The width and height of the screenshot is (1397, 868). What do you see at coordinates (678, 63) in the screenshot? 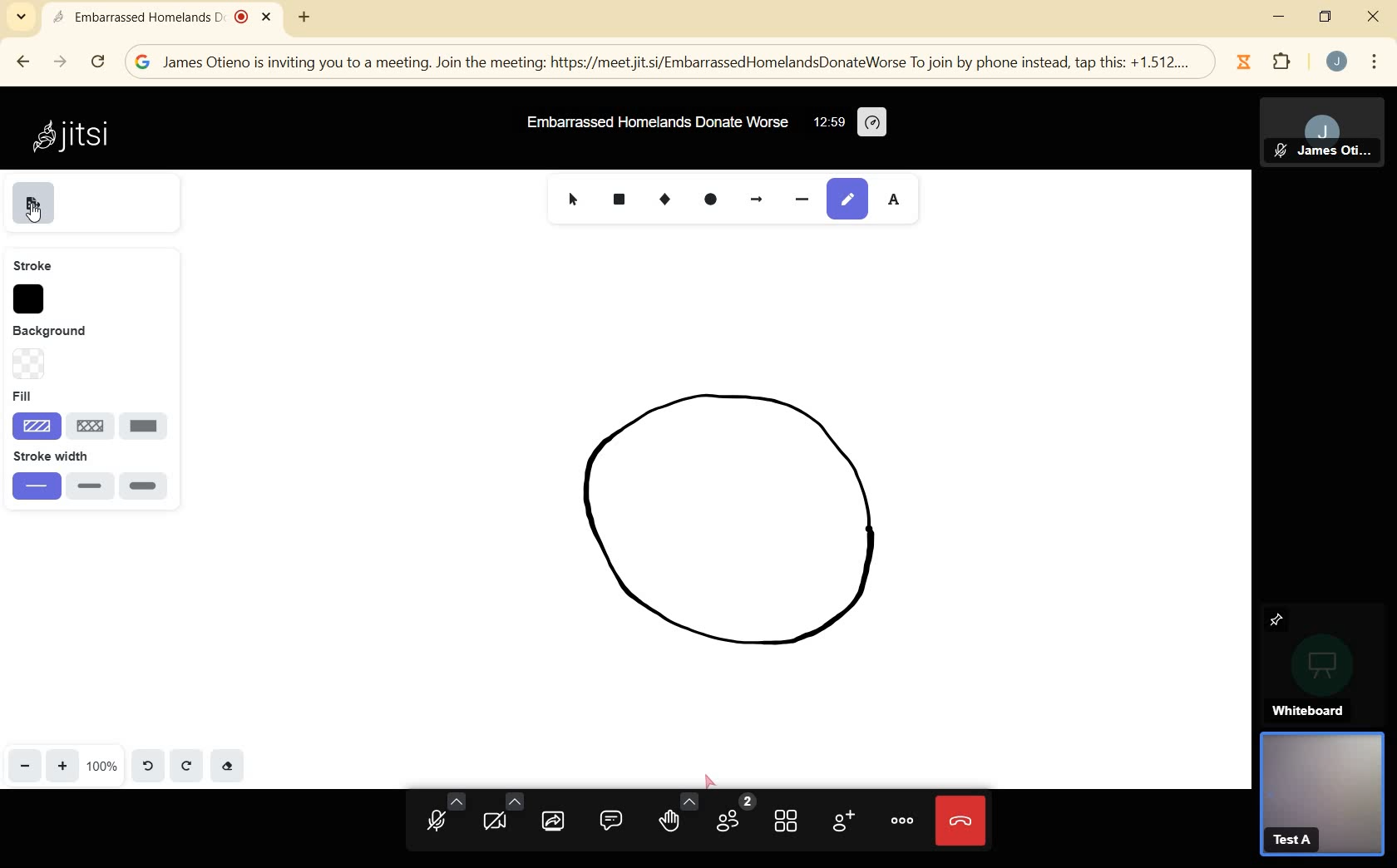
I see `; James Otieno is inviting you to a meeting. Join the meeting: https://meetiit.si/EmbarrassedHomelandsDonateWorse To join by phone instead, tap this: +1.512....` at bounding box center [678, 63].